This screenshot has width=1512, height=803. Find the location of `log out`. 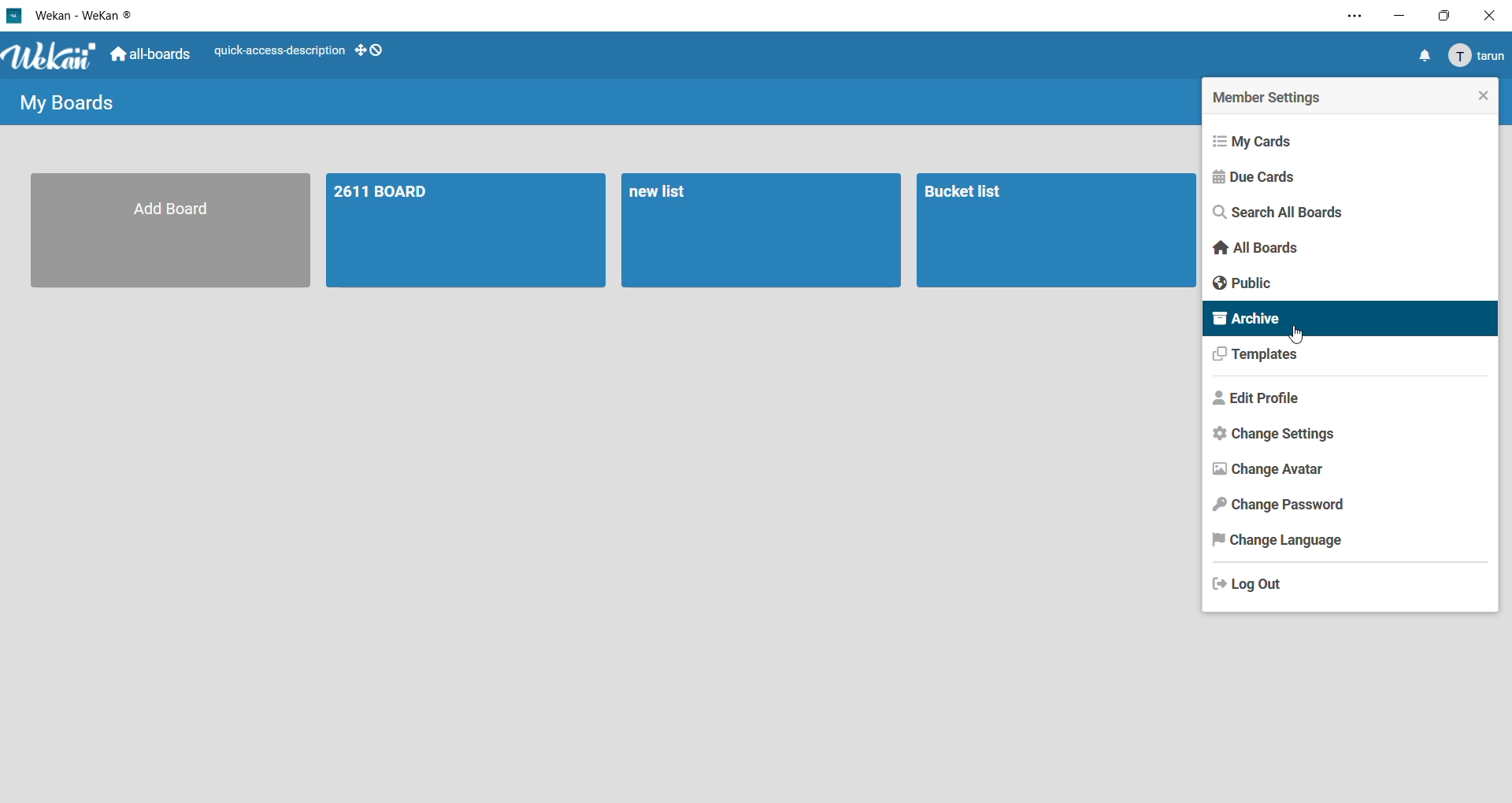

log out is located at coordinates (1252, 582).